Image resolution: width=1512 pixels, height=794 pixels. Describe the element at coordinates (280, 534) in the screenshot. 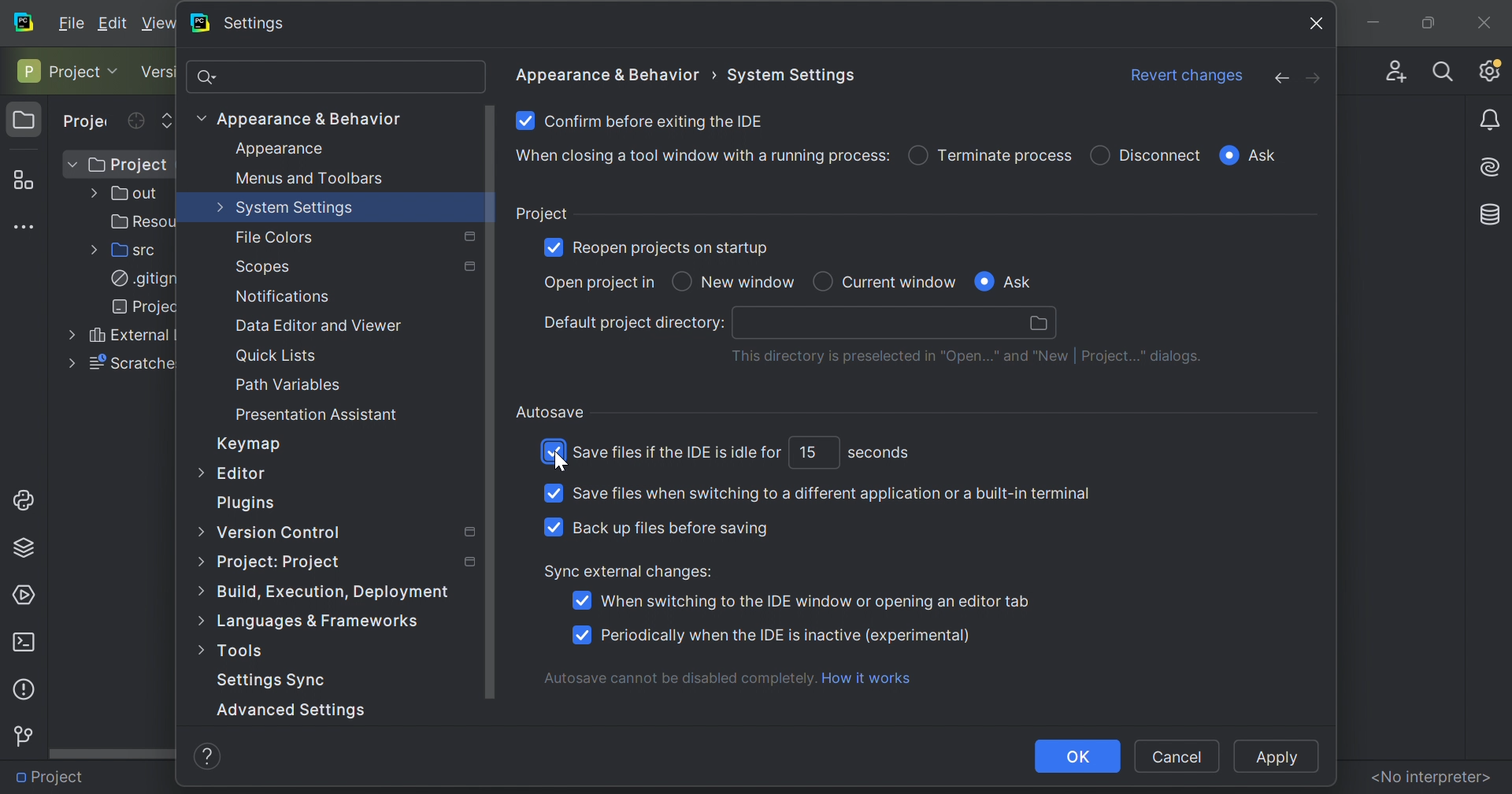

I see `Version control` at that location.